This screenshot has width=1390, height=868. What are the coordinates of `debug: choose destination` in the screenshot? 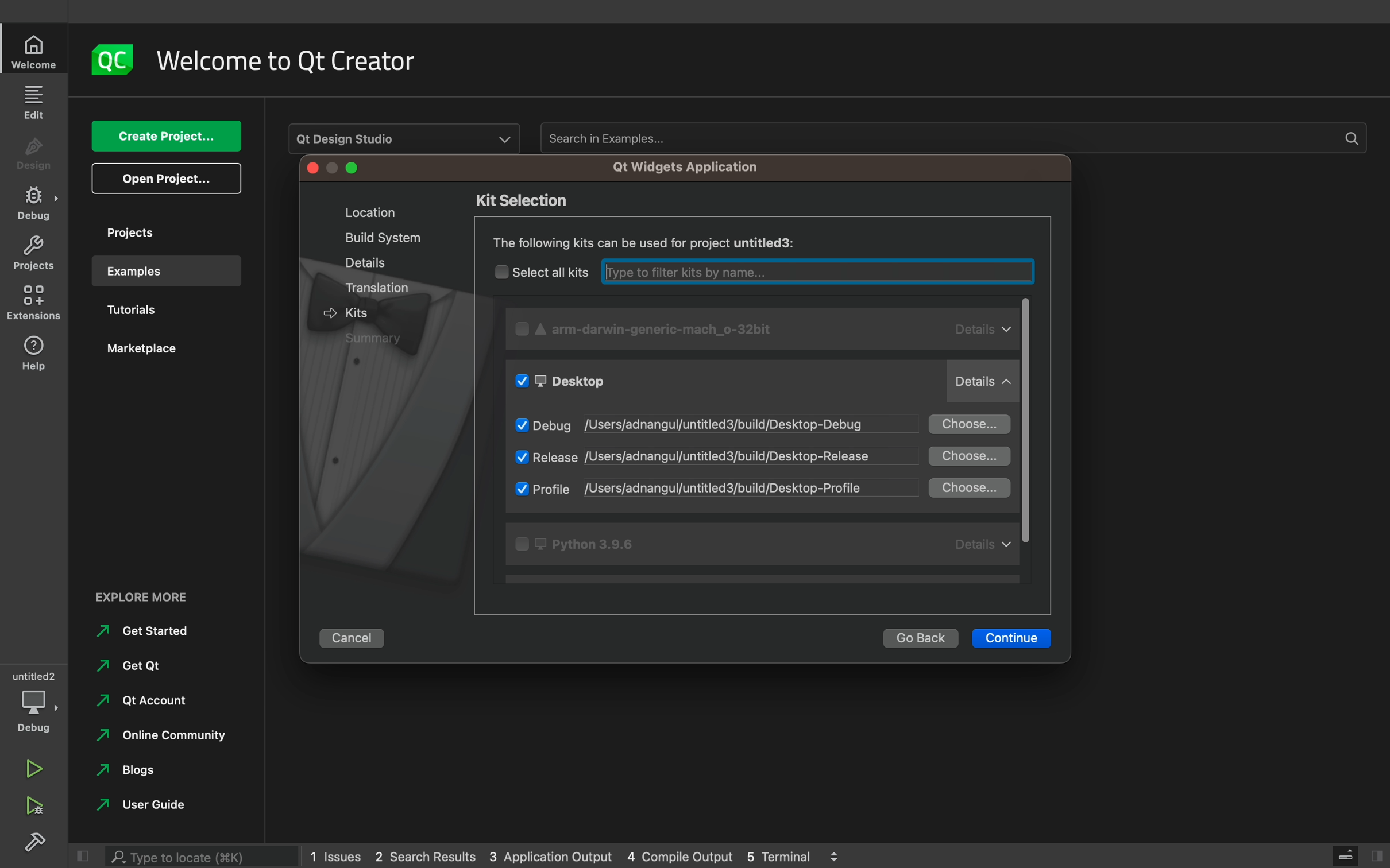 It's located at (773, 424).